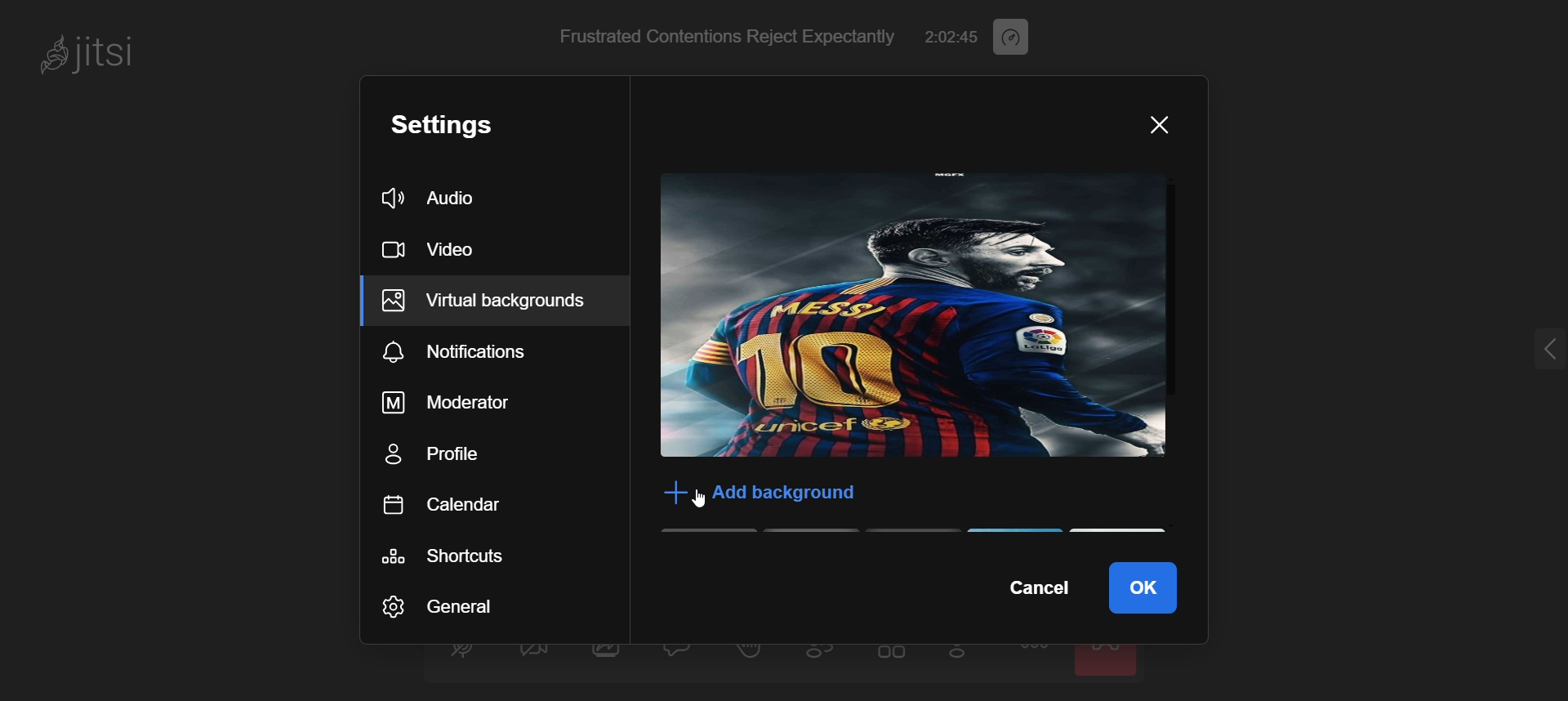  Describe the element at coordinates (680, 653) in the screenshot. I see `chat` at that location.